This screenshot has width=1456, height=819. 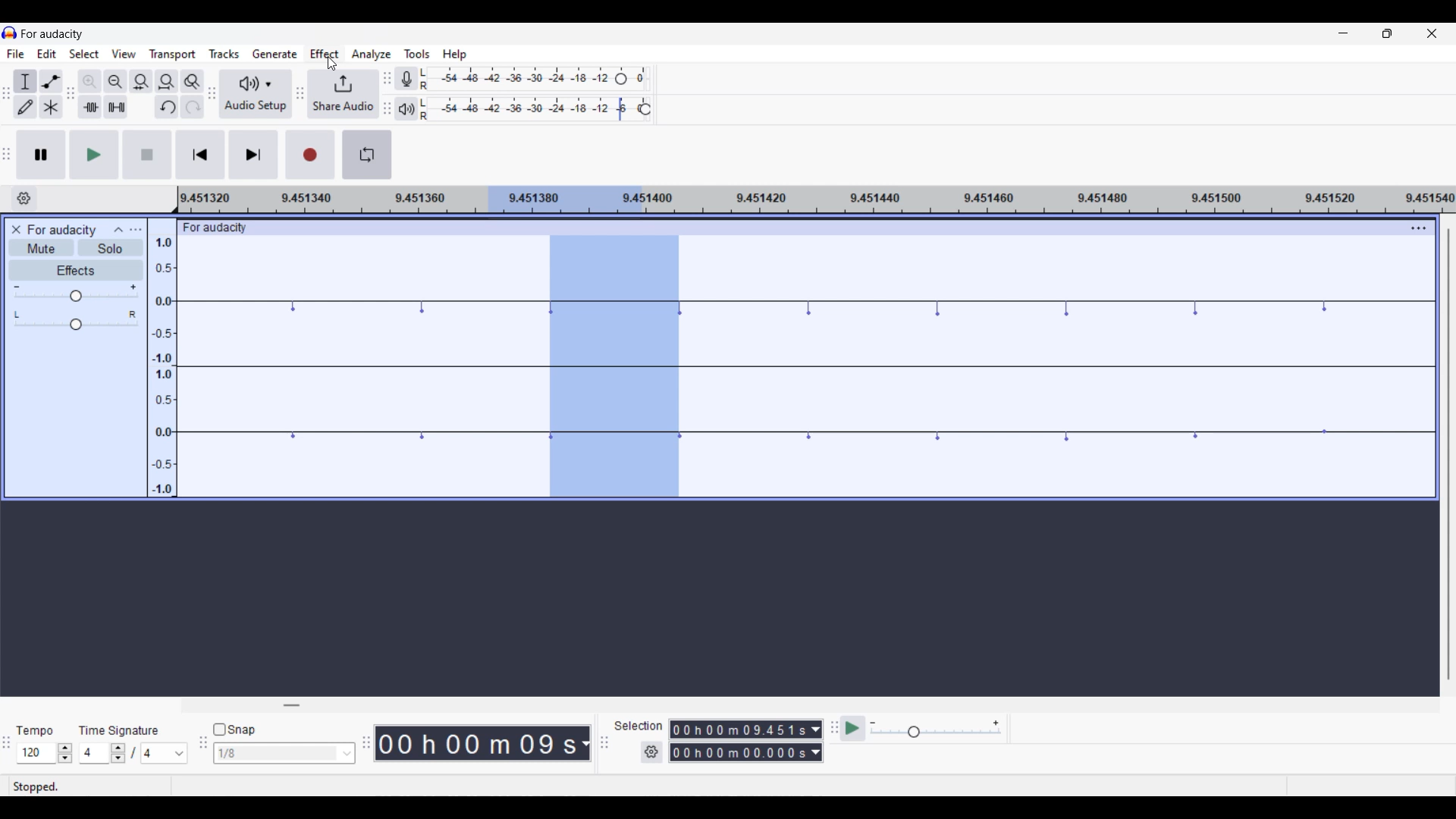 I want to click on Current project, so click(x=61, y=230).